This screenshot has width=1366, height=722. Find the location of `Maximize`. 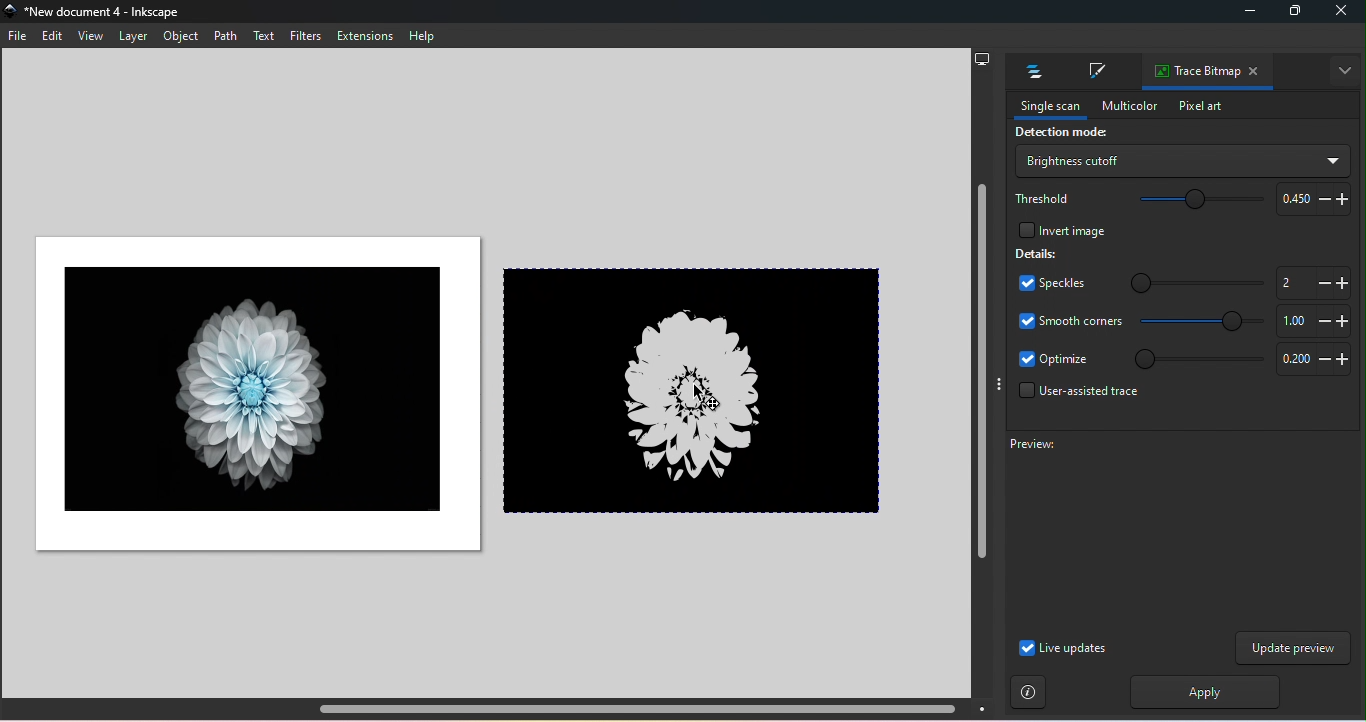

Maximize is located at coordinates (1292, 14).